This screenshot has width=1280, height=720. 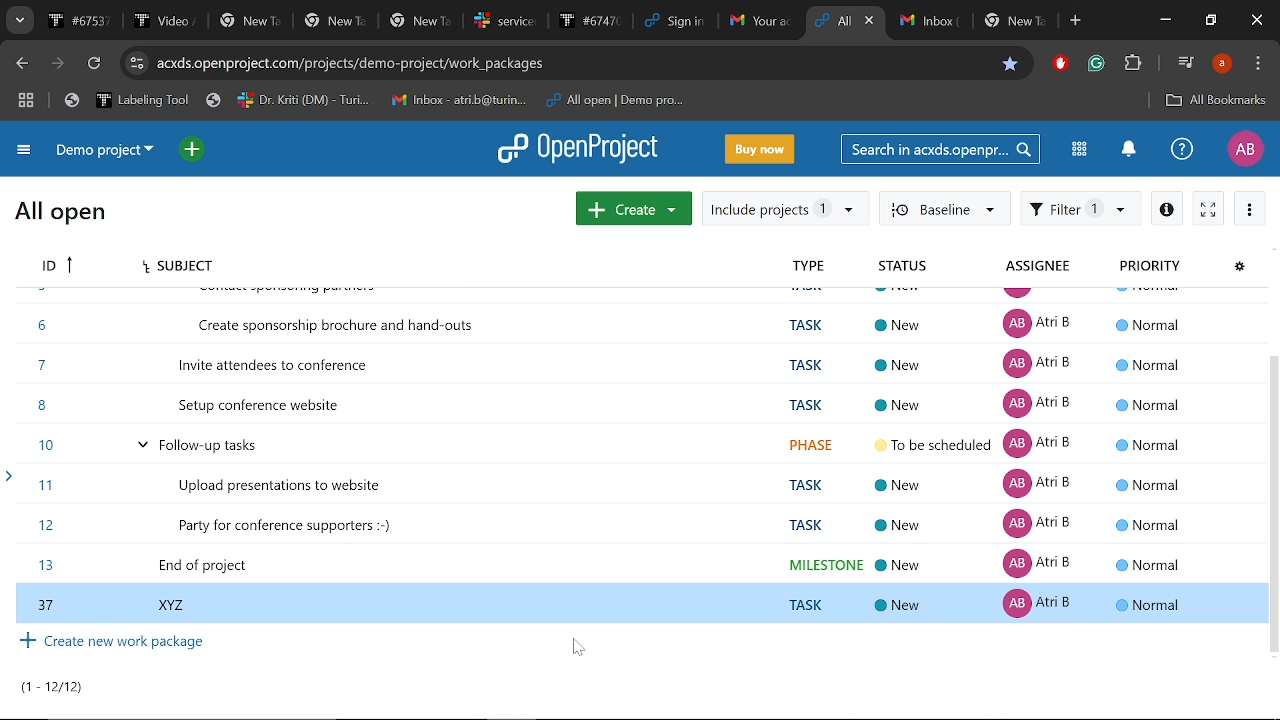 I want to click on Control your musci videos and more, so click(x=1184, y=62).